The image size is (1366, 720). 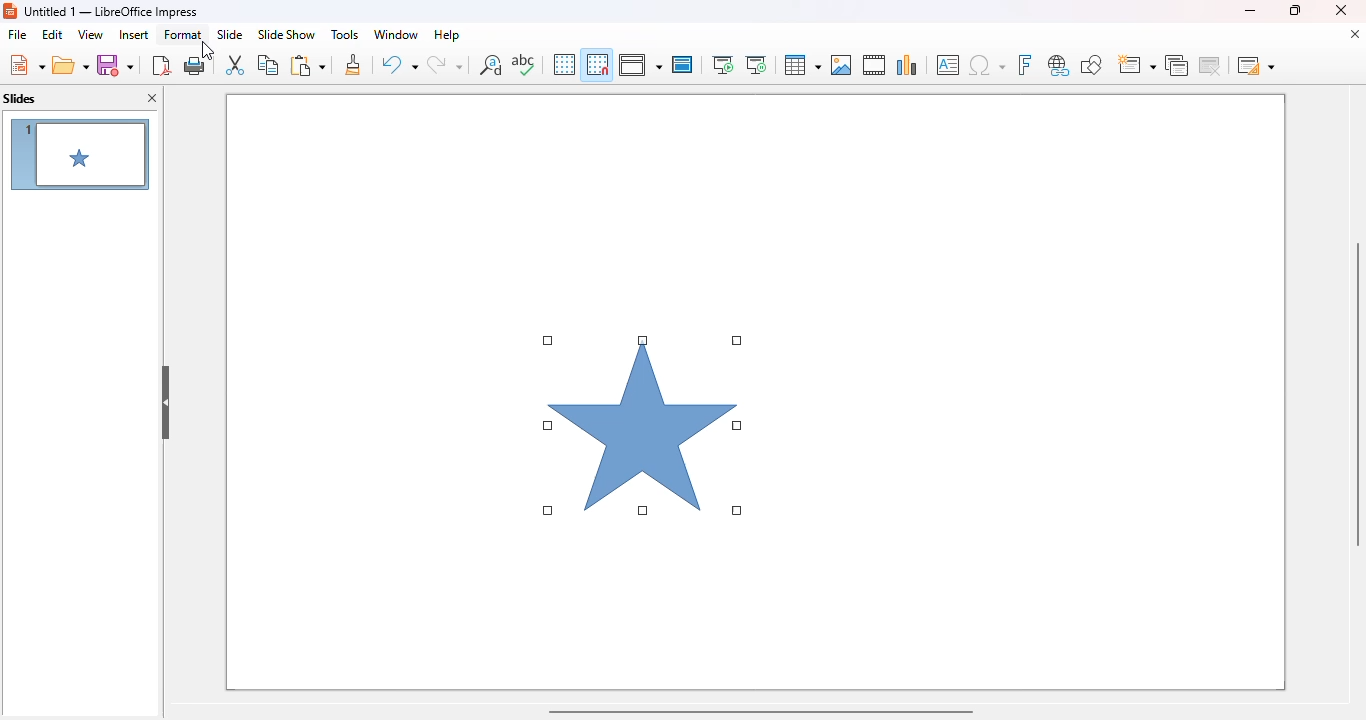 I want to click on insert fontwork text, so click(x=1024, y=64).